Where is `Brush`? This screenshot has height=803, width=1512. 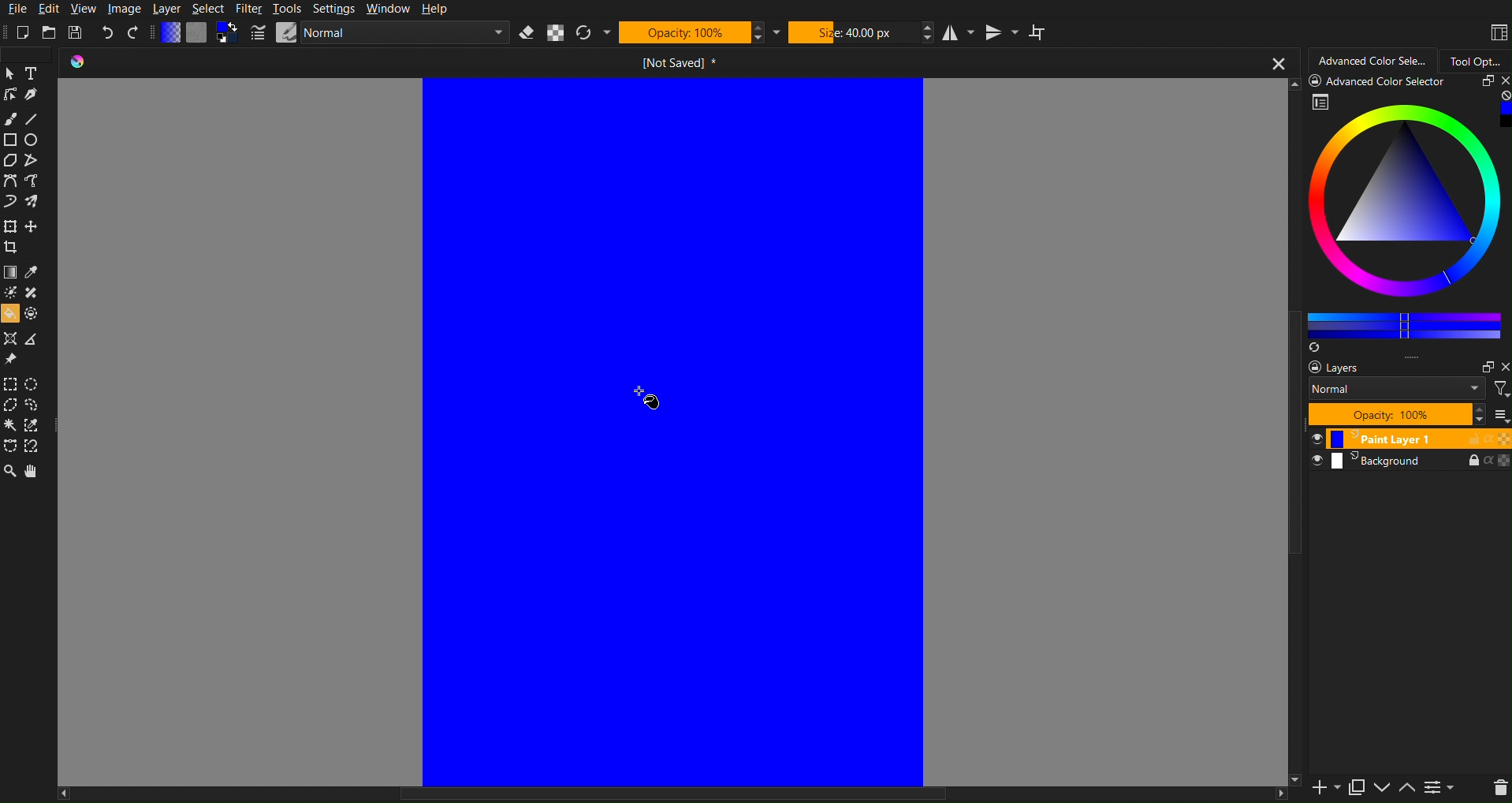
Brush is located at coordinates (9, 115).